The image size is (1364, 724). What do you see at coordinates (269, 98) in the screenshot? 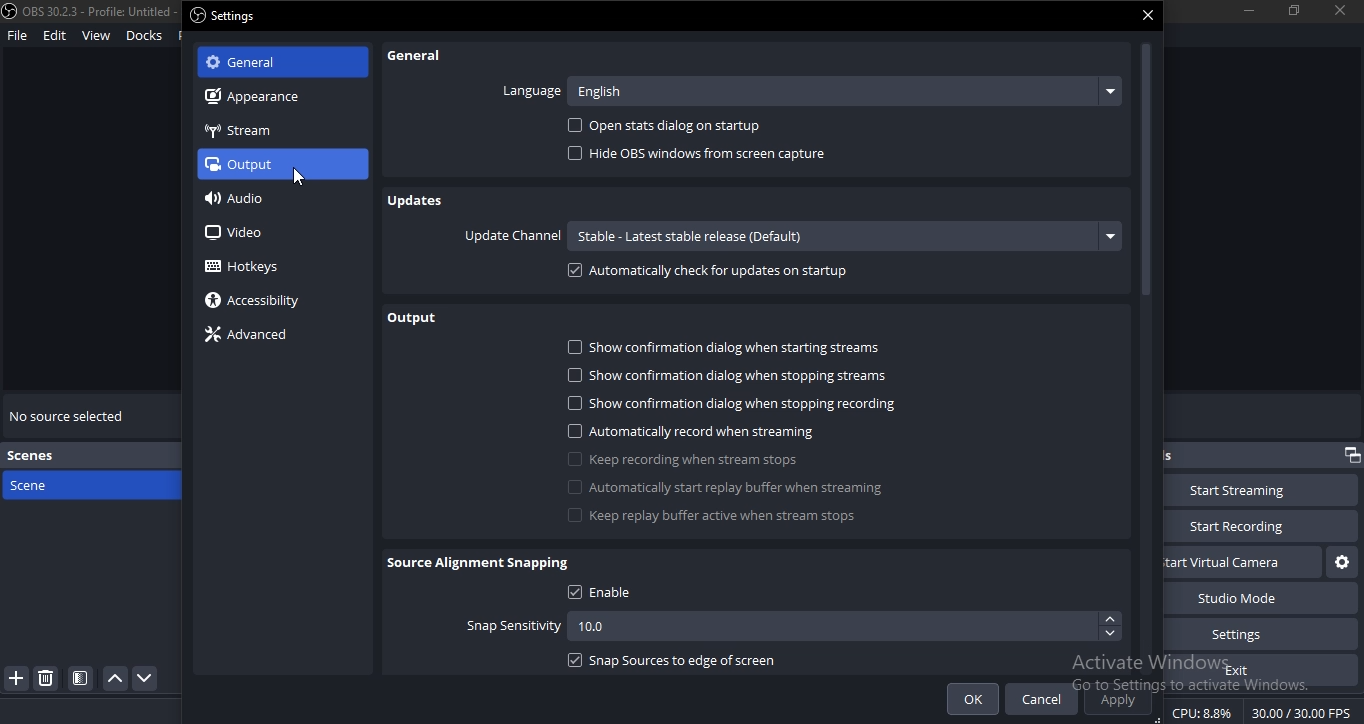
I see `appearance` at bounding box center [269, 98].